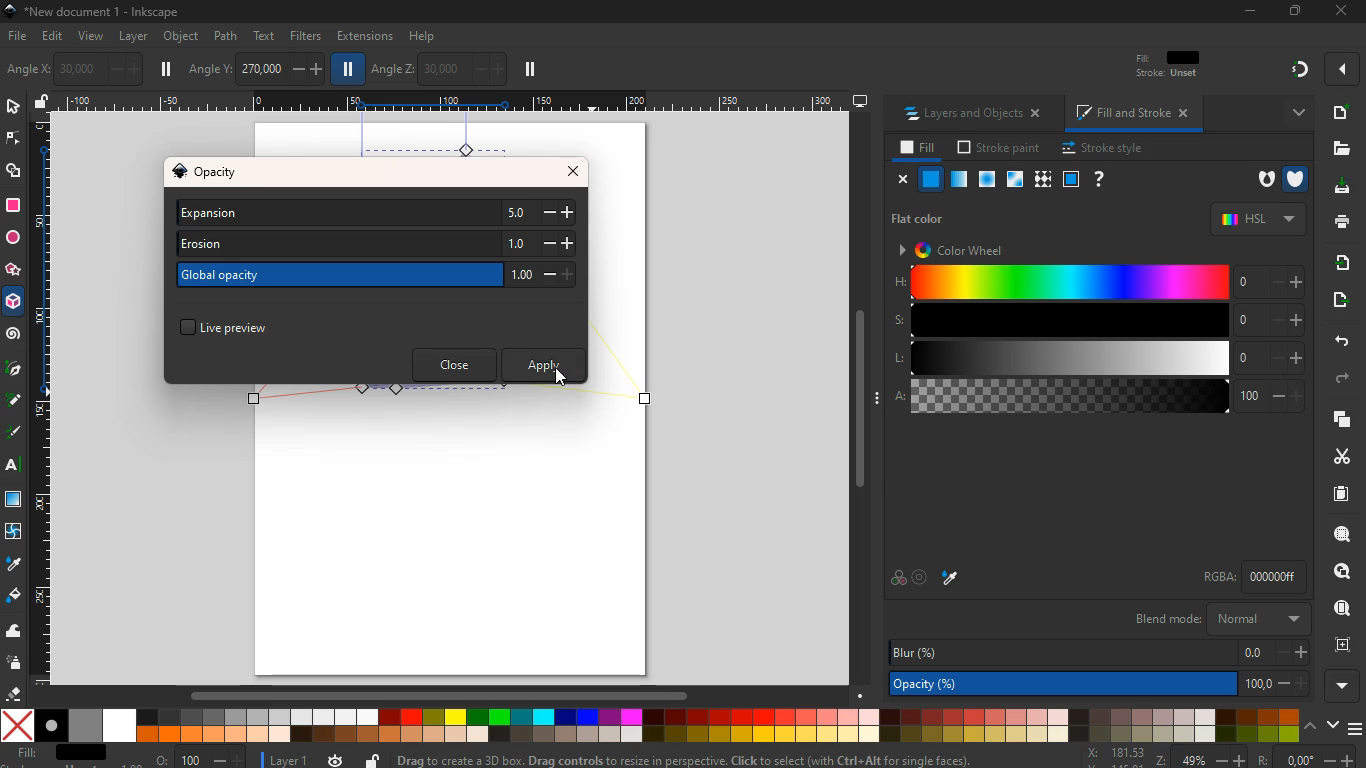 The height and width of the screenshot is (768, 1366). Describe the element at coordinates (1043, 179) in the screenshot. I see `texture` at that location.